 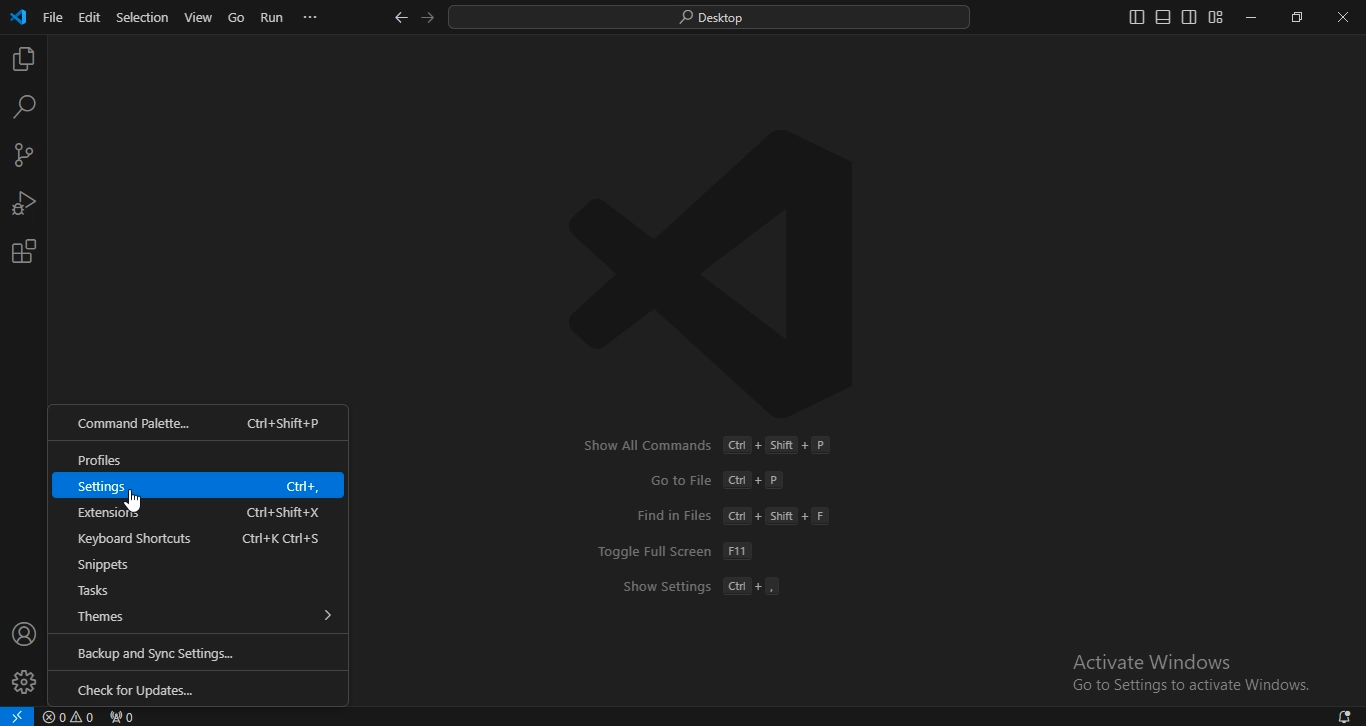 I want to click on check for updates, so click(x=136, y=690).